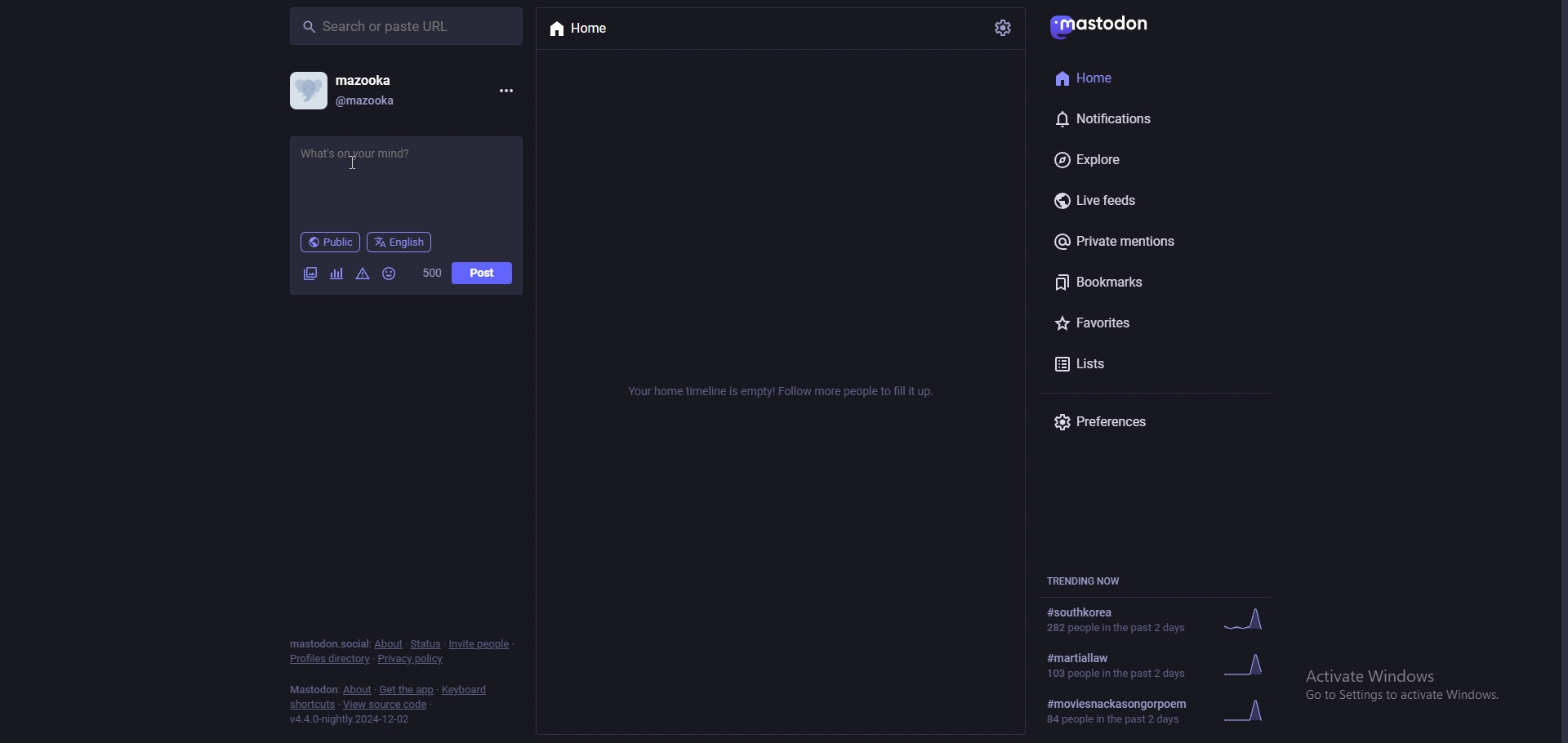  Describe the element at coordinates (407, 26) in the screenshot. I see `search` at that location.